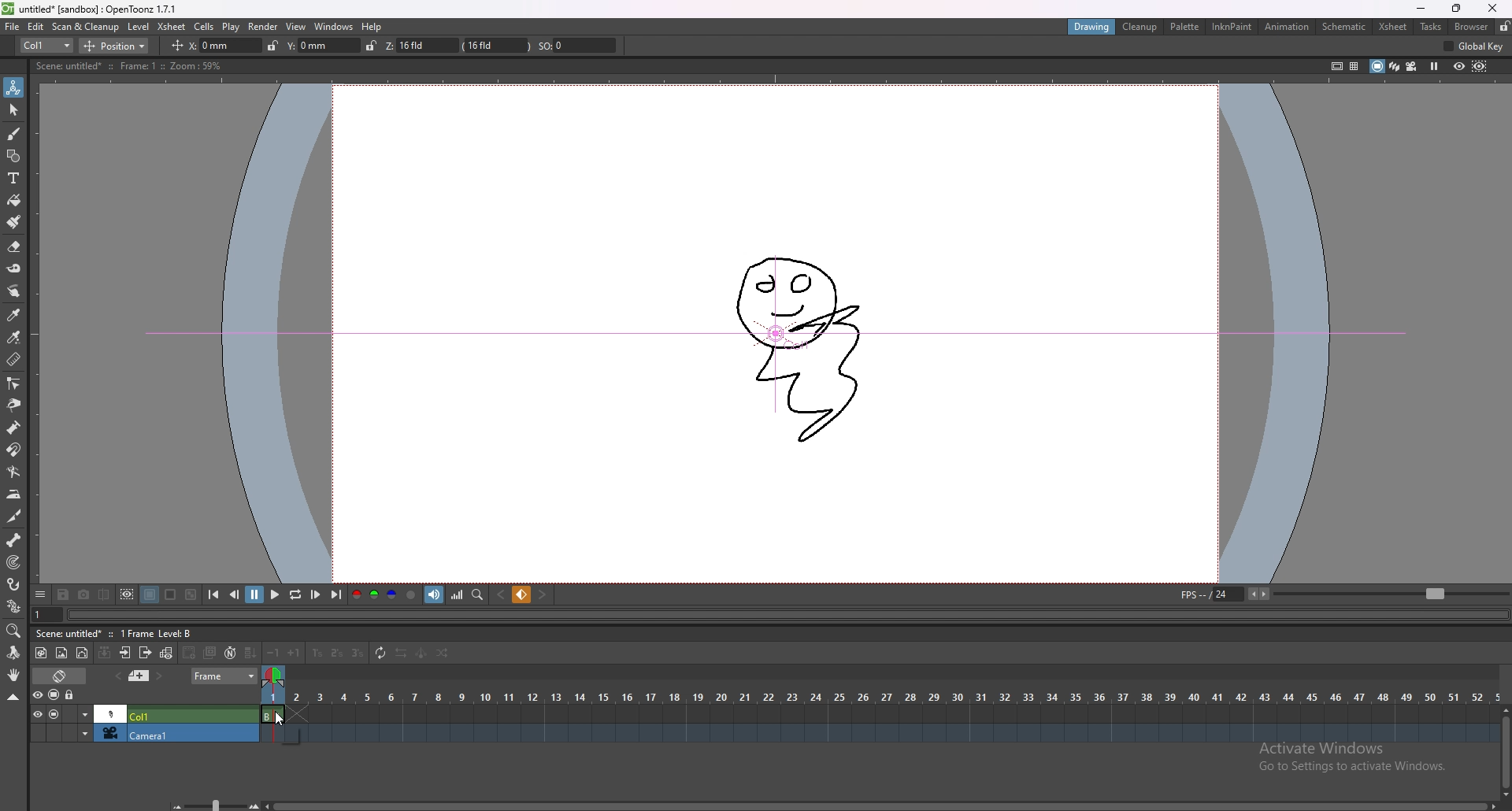 This screenshot has height=811, width=1512. I want to click on render, so click(264, 26).